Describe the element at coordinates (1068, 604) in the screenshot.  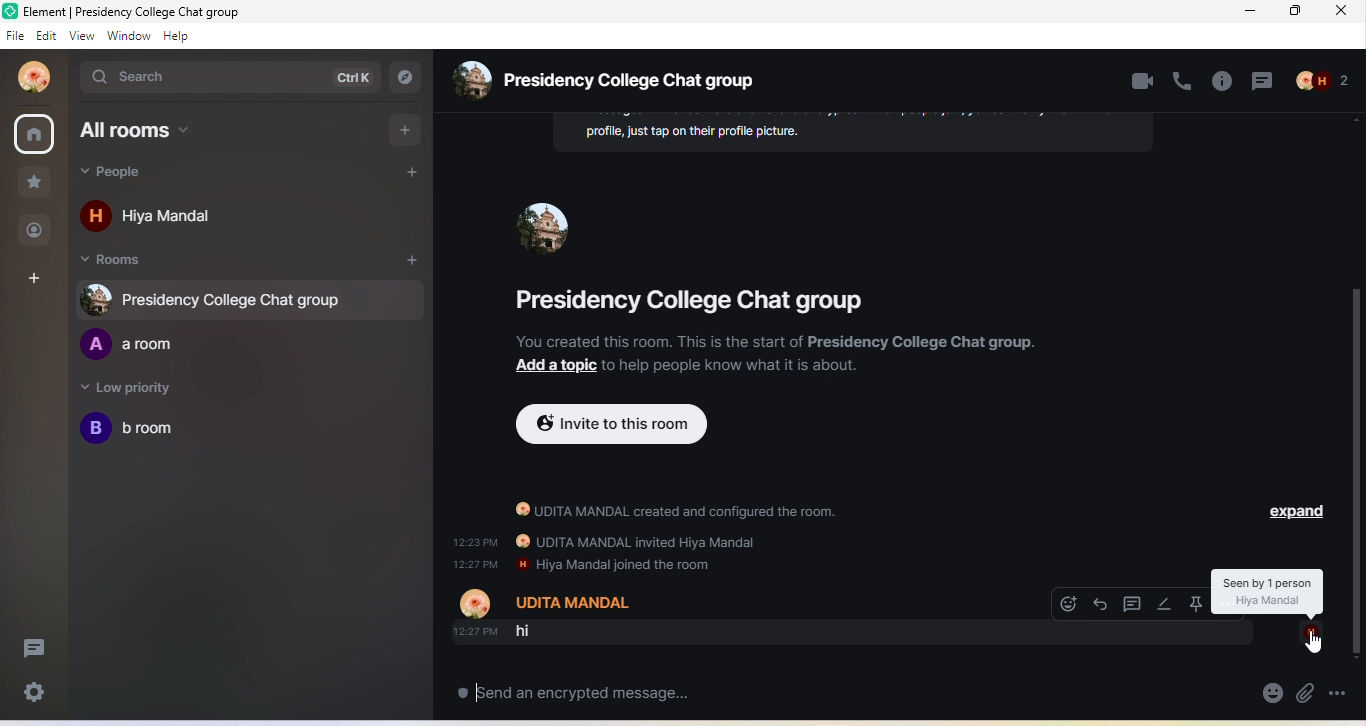
I see `react` at that location.